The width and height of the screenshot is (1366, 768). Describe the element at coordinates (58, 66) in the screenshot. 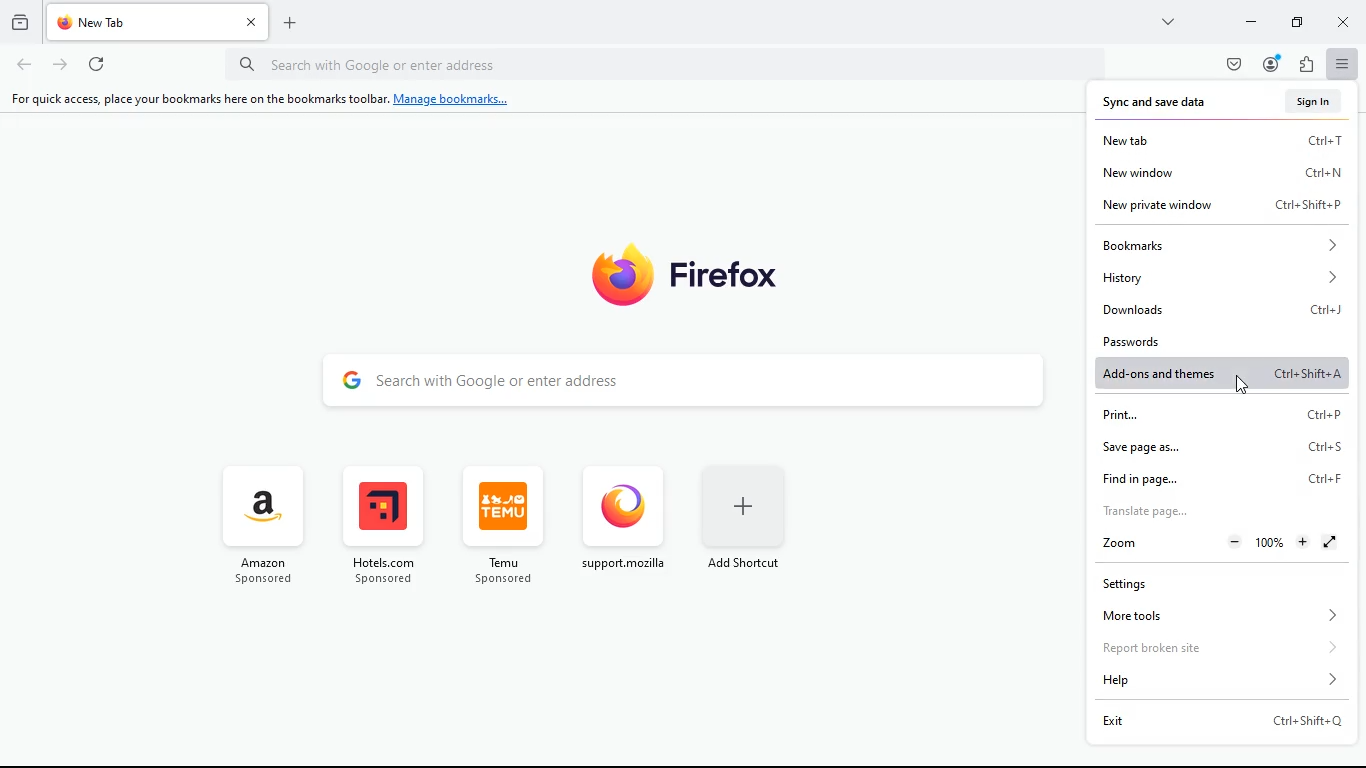

I see `forward` at that location.